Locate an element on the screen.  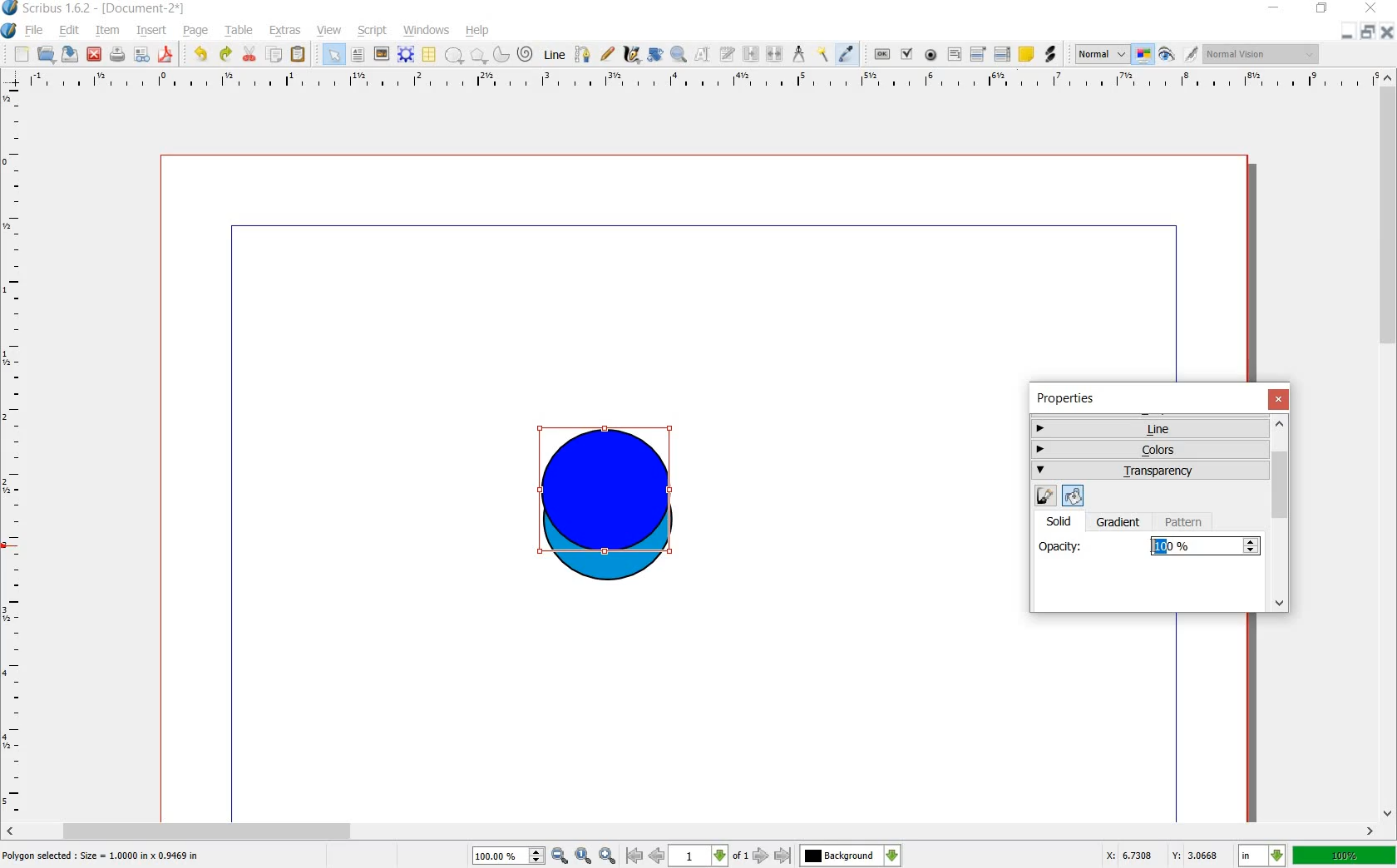
rotate item is located at coordinates (655, 55).